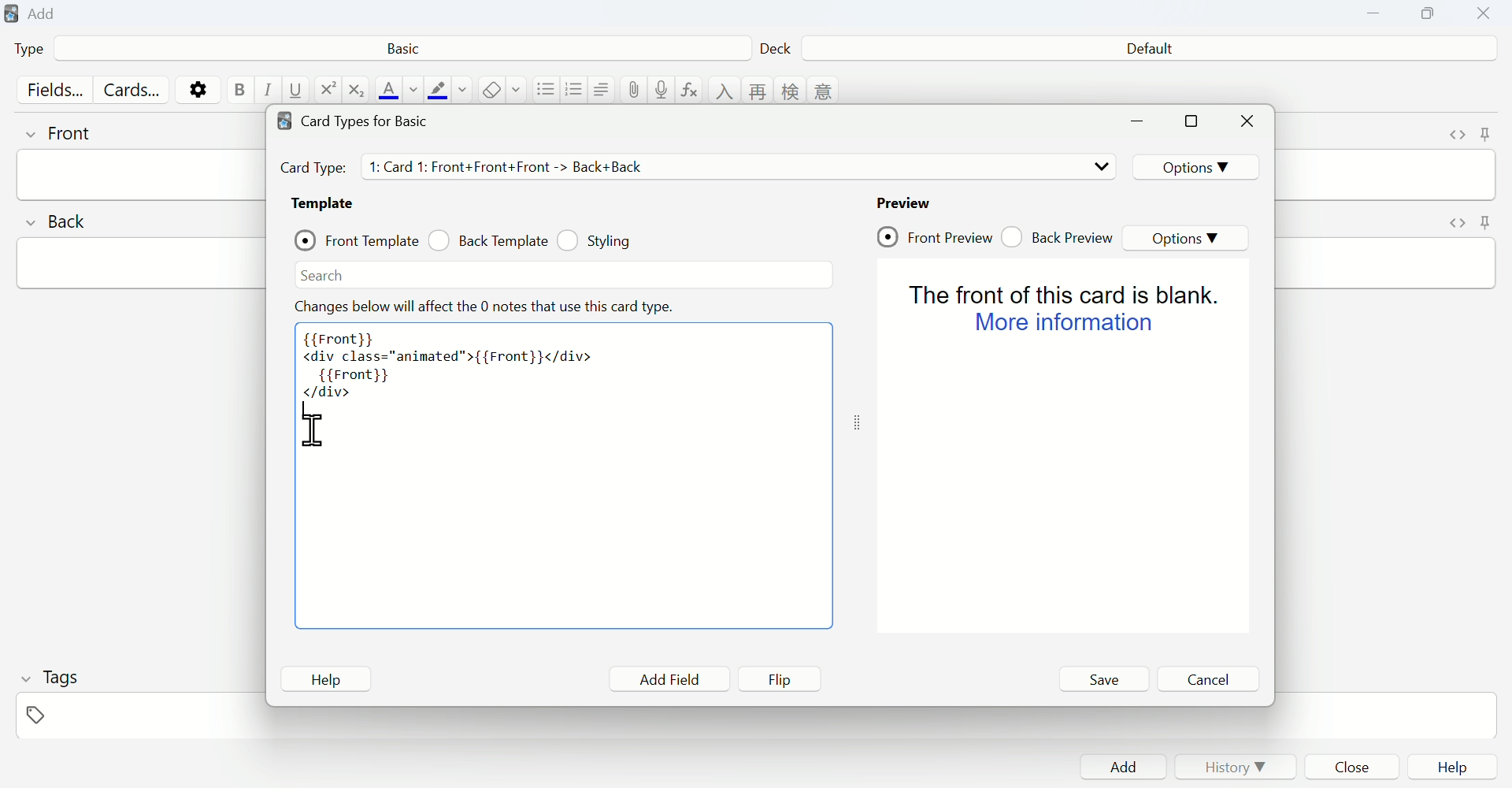 The height and width of the screenshot is (788, 1512). Describe the element at coordinates (602, 240) in the screenshot. I see `Styling` at that location.